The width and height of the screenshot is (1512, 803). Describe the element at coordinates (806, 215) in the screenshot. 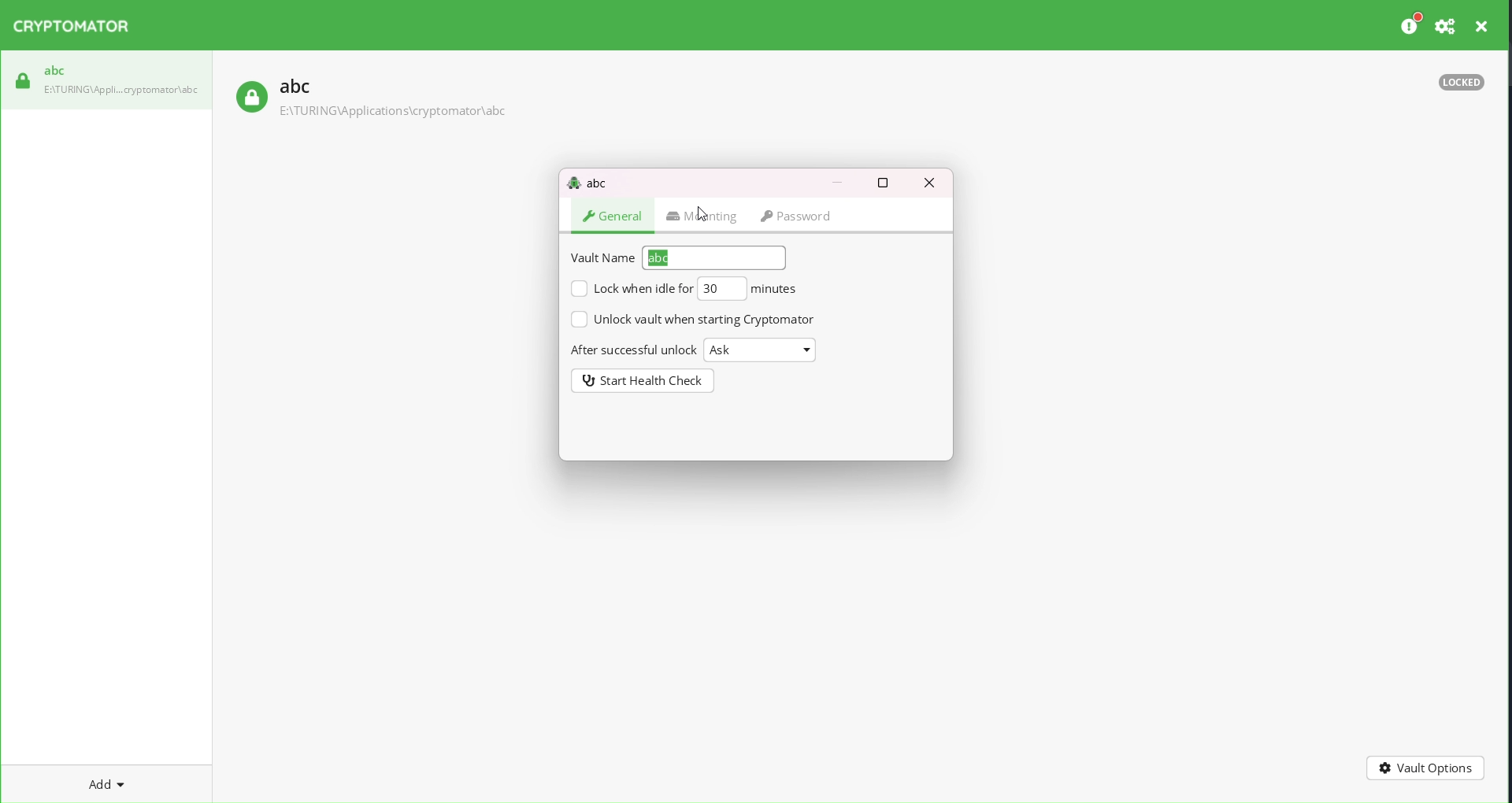

I see `password` at that location.